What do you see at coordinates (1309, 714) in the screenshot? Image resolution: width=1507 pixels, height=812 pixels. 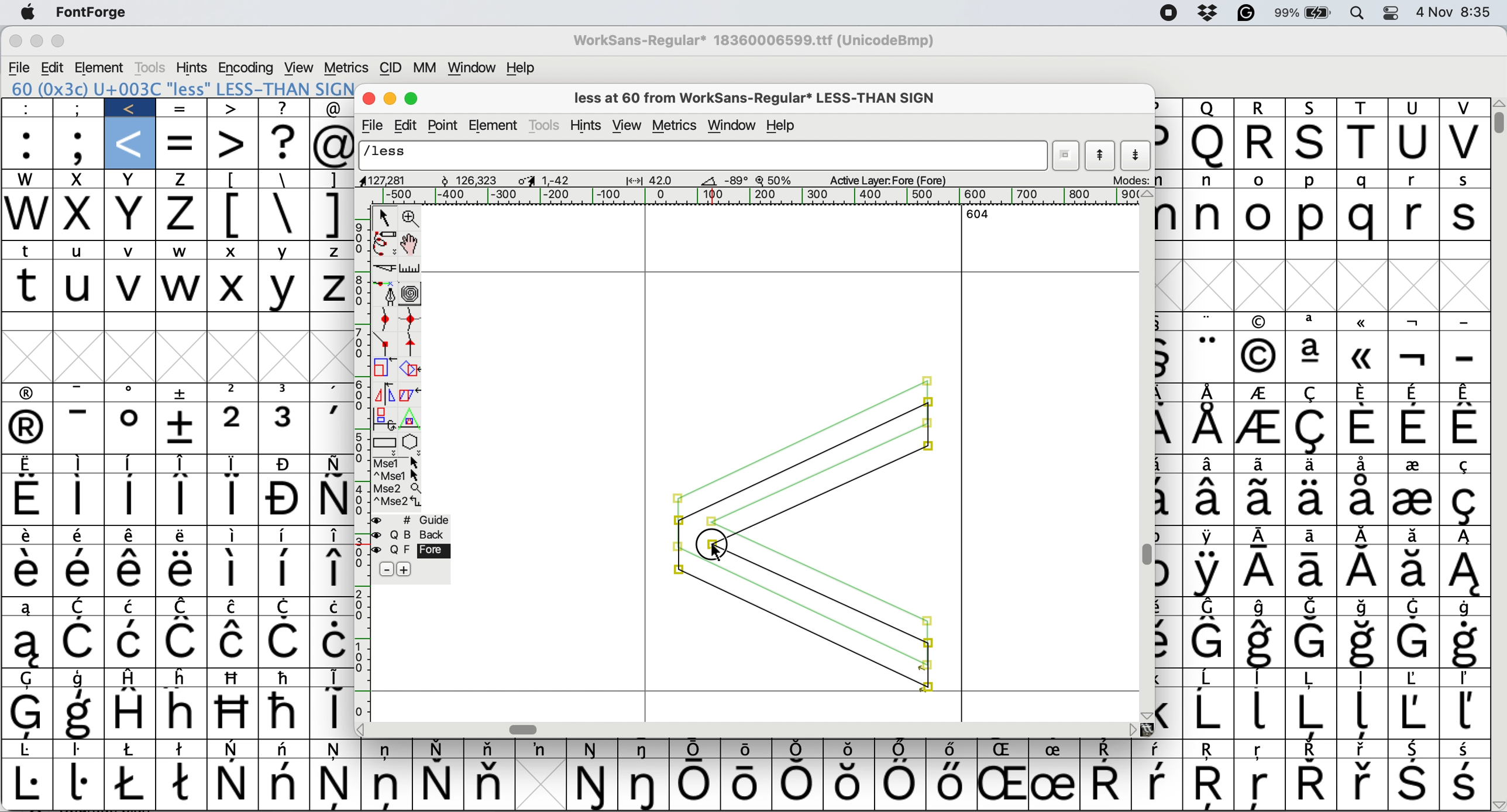 I see `Symbol` at bounding box center [1309, 714].